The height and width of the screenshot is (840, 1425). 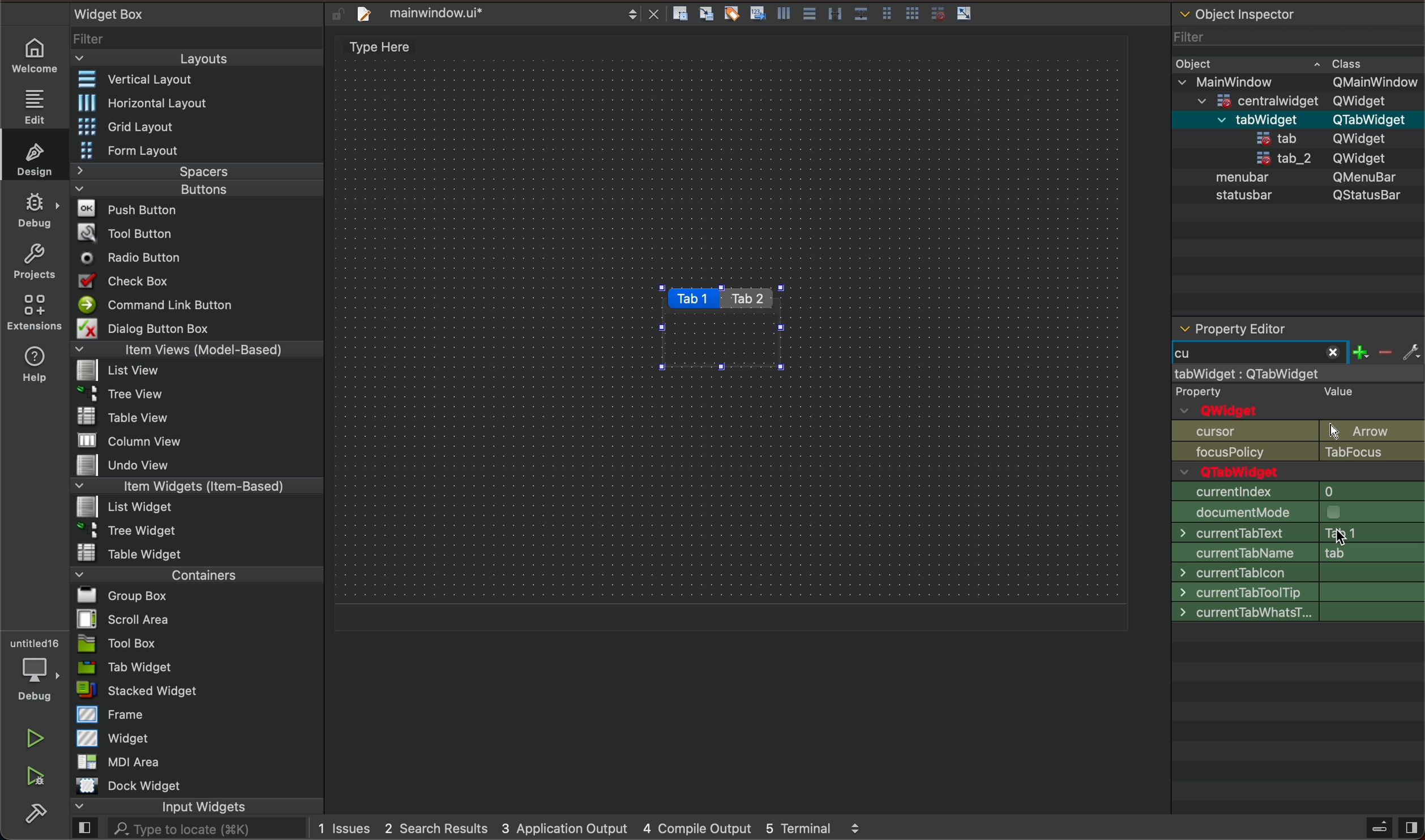 What do you see at coordinates (1296, 630) in the screenshot?
I see `font` at bounding box center [1296, 630].